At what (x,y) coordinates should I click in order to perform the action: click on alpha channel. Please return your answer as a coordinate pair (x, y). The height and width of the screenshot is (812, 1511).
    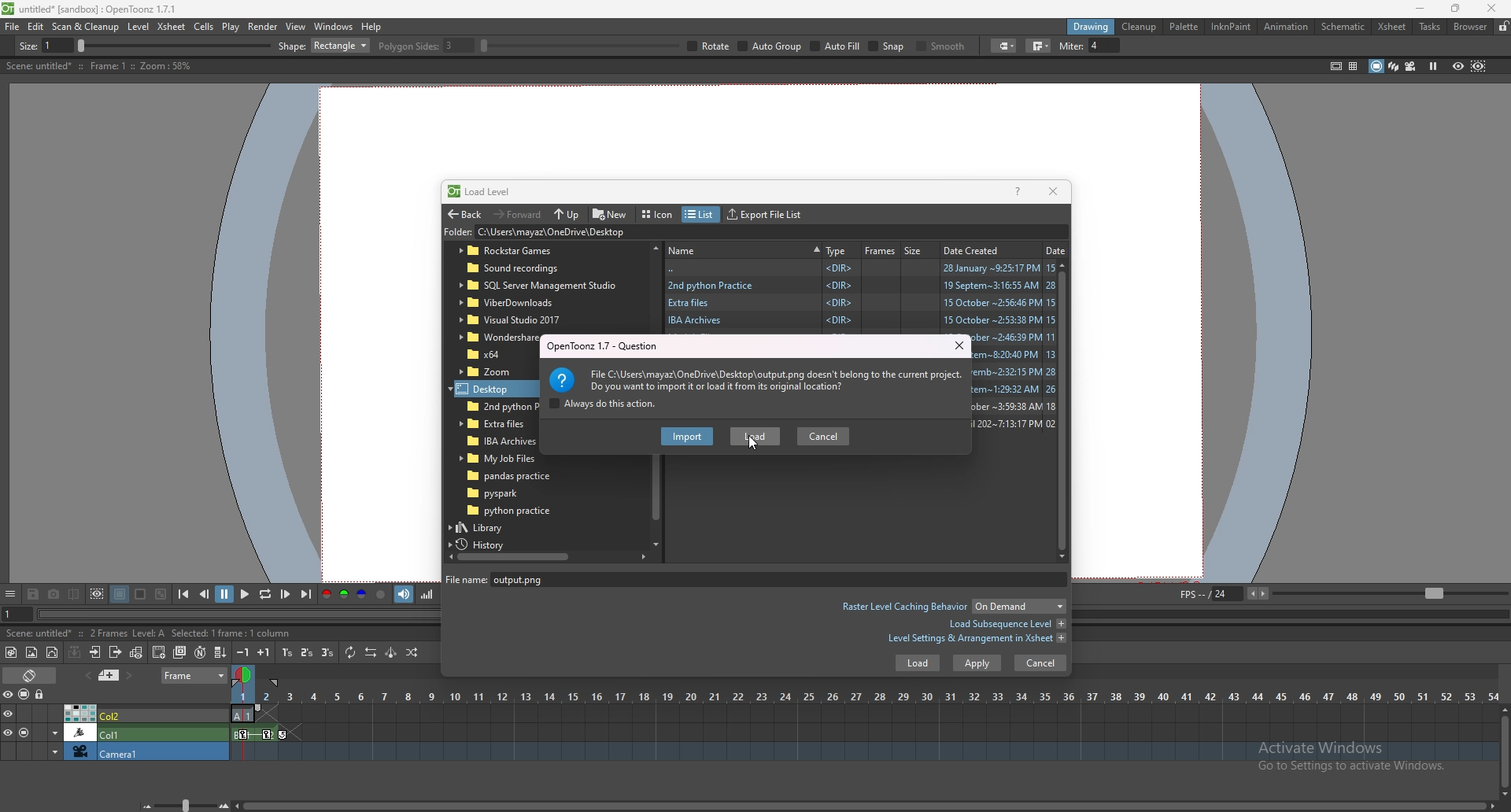
    Looking at the image, I should click on (381, 595).